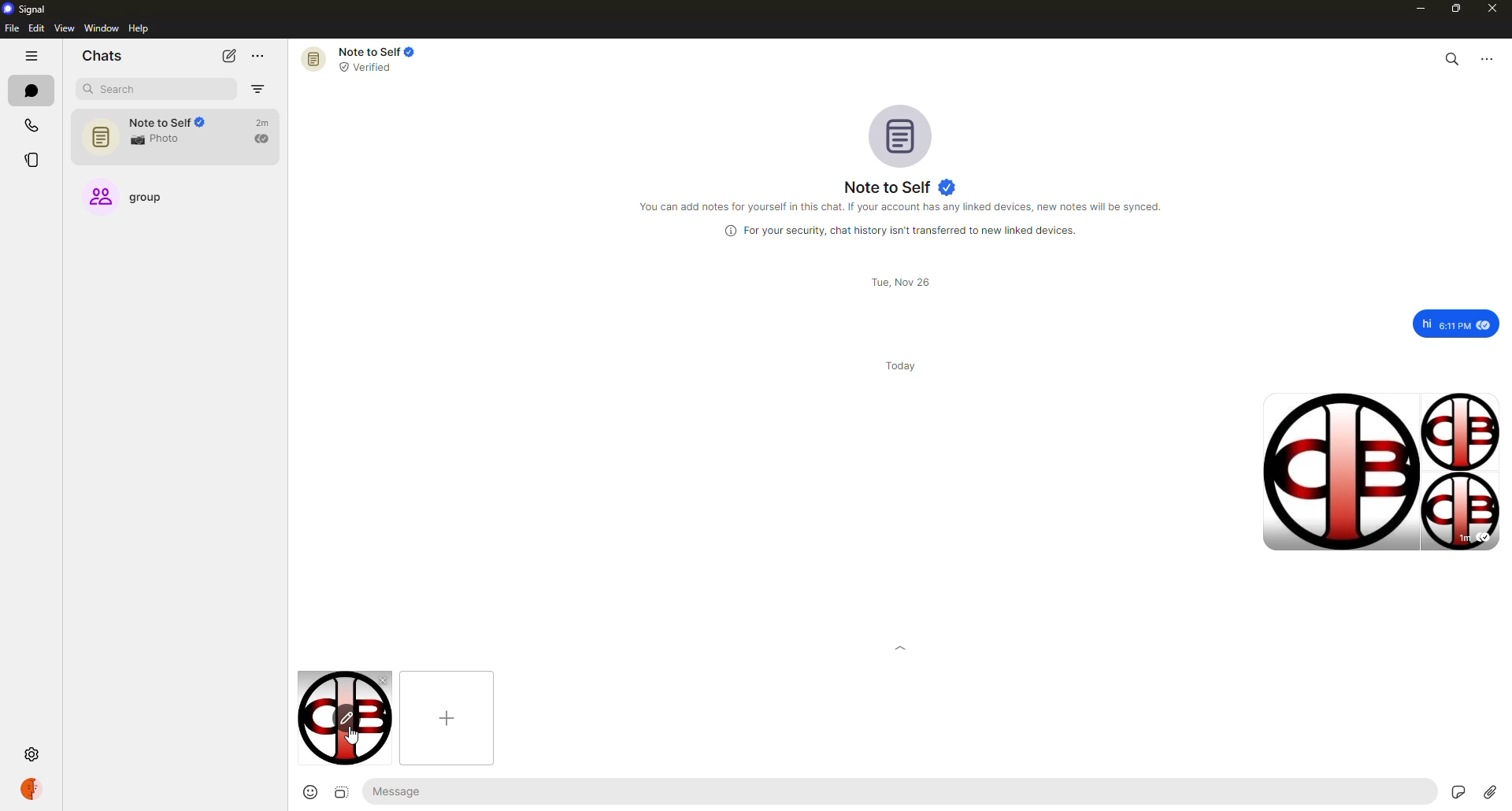 The width and height of the screenshot is (1512, 811). What do you see at coordinates (902, 365) in the screenshot?
I see `day` at bounding box center [902, 365].